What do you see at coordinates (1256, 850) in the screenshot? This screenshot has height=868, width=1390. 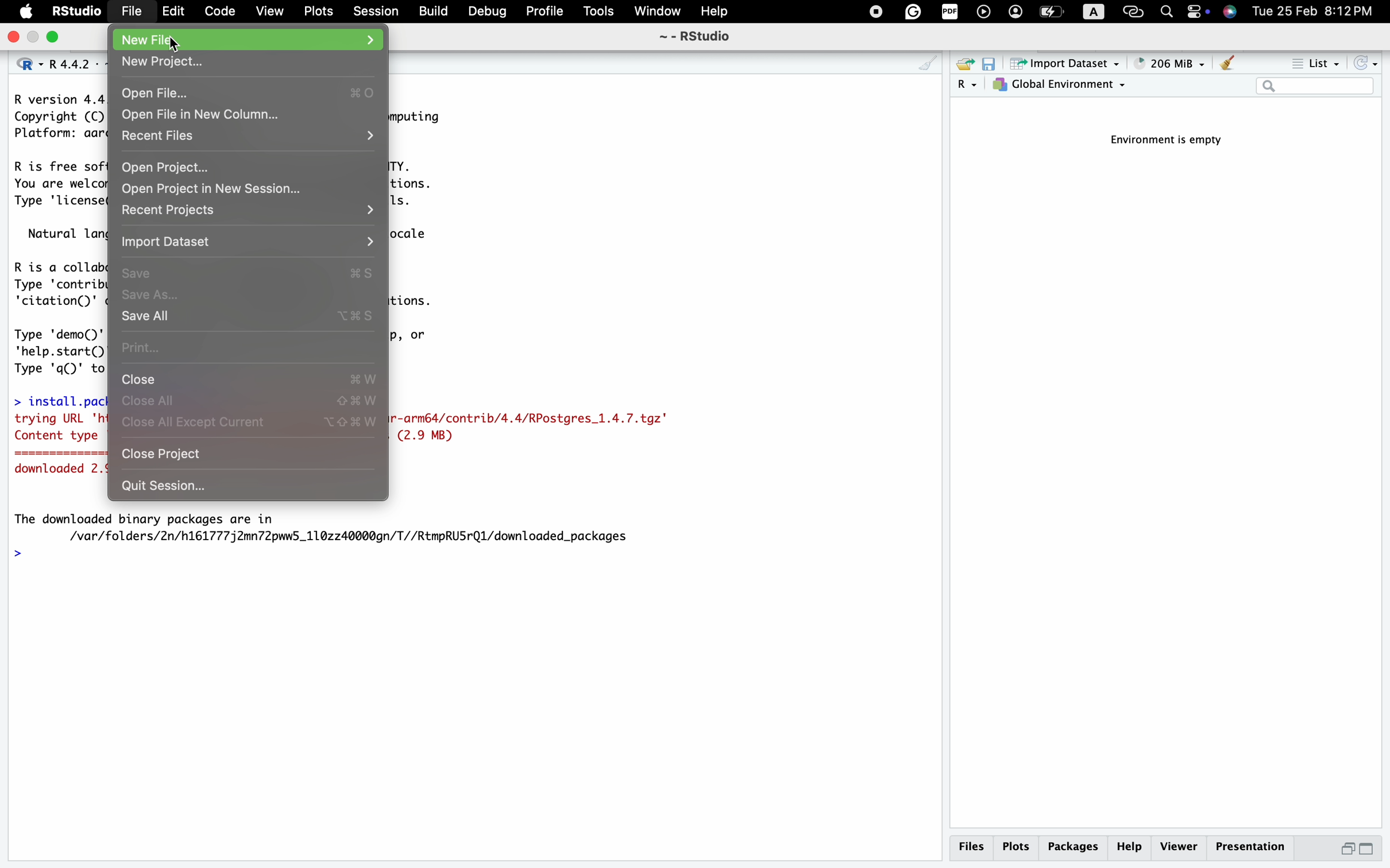 I see `presentation` at bounding box center [1256, 850].